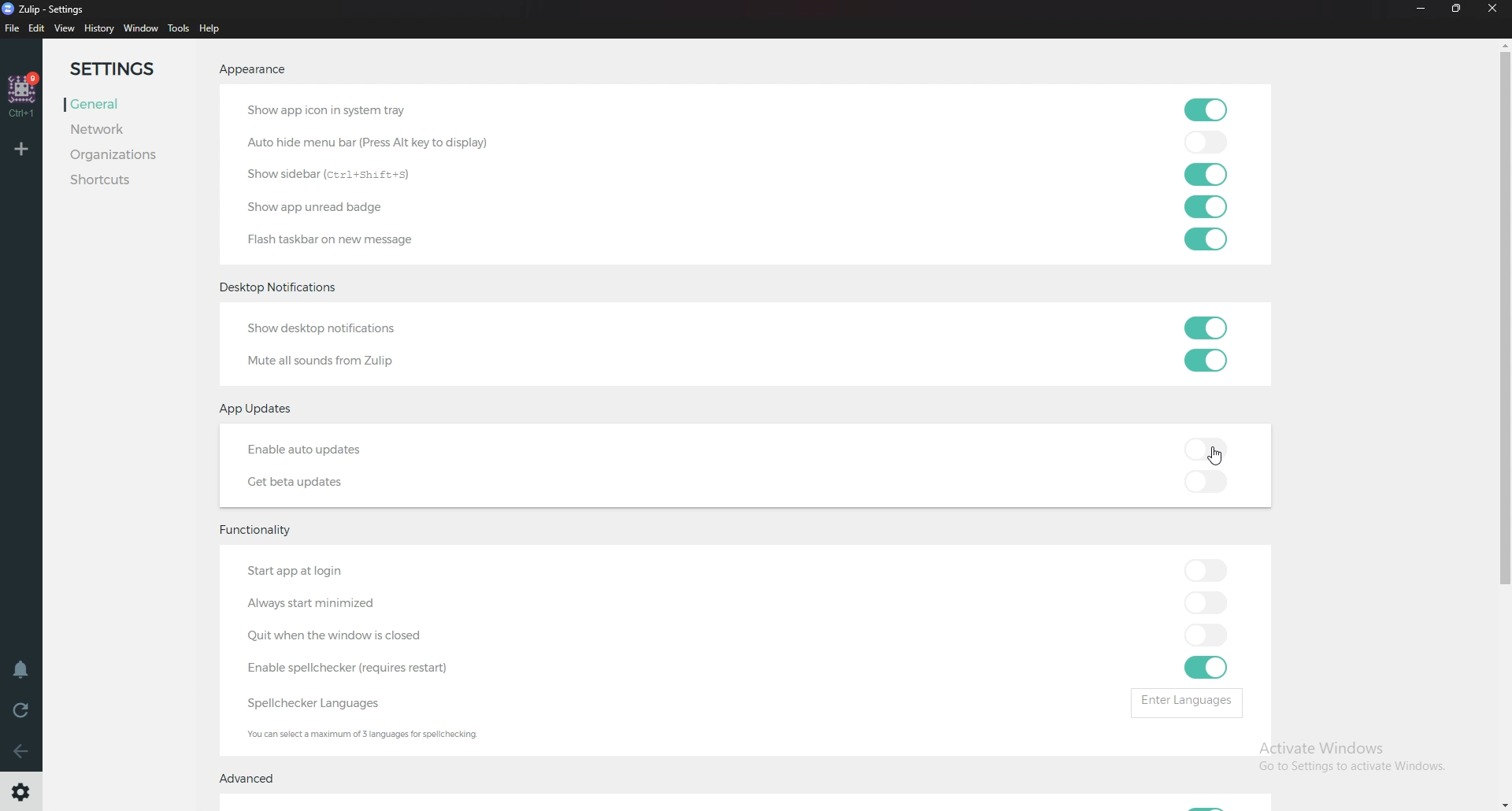 The height and width of the screenshot is (811, 1512). I want to click on toggle, so click(1207, 328).